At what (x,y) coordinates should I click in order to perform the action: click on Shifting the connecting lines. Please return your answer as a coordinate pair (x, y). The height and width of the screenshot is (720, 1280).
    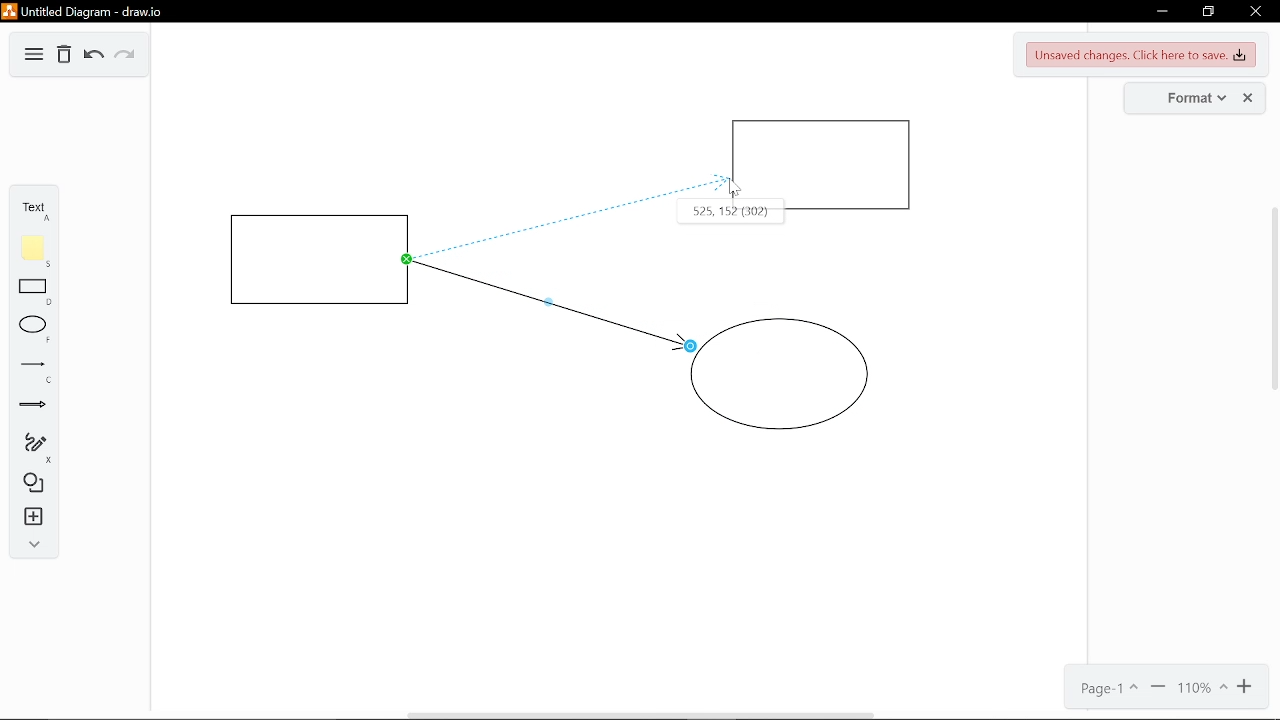
    Looking at the image, I should click on (573, 205).